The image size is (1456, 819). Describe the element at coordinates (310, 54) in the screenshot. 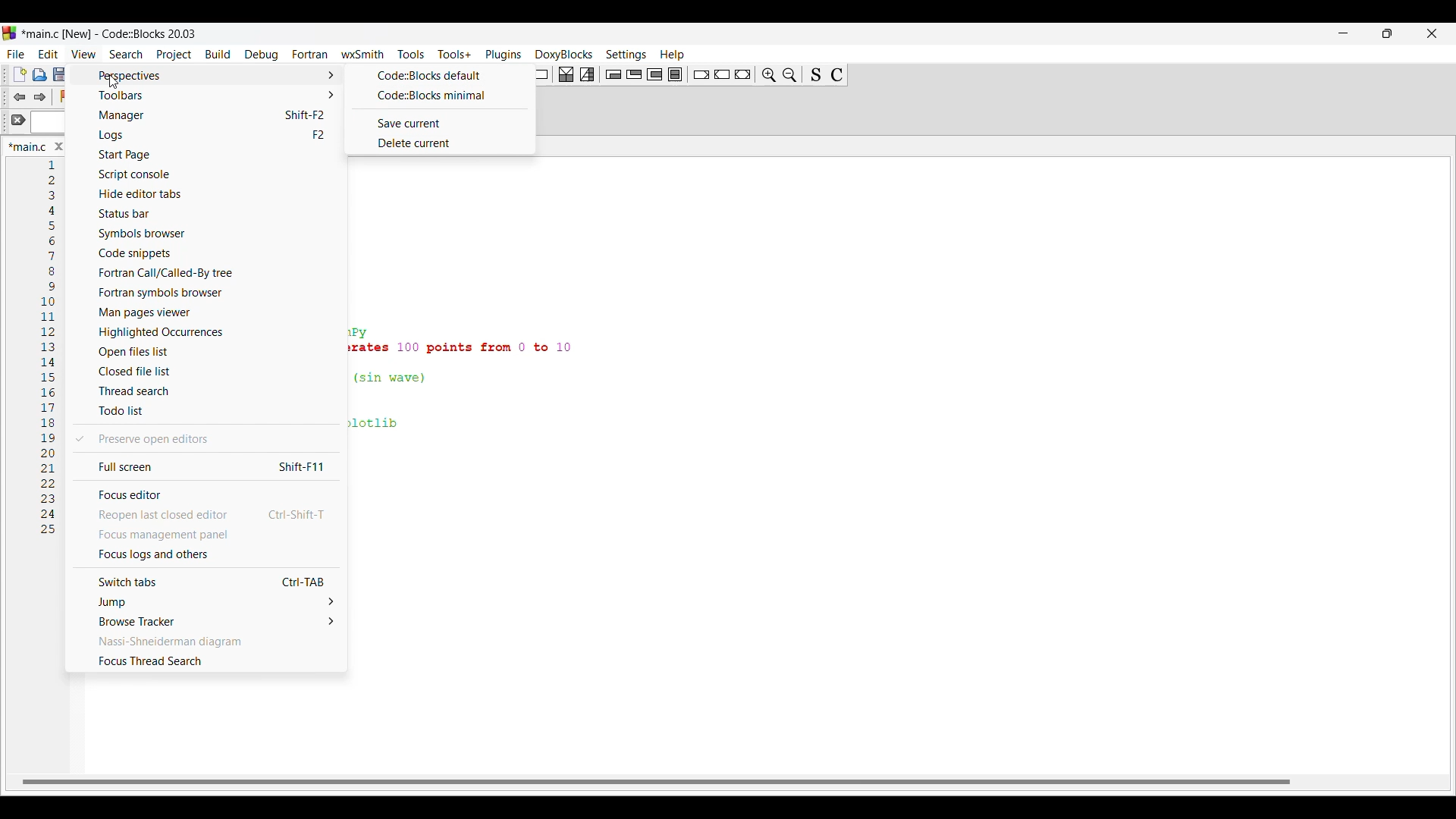

I see `Fortran menu` at that location.